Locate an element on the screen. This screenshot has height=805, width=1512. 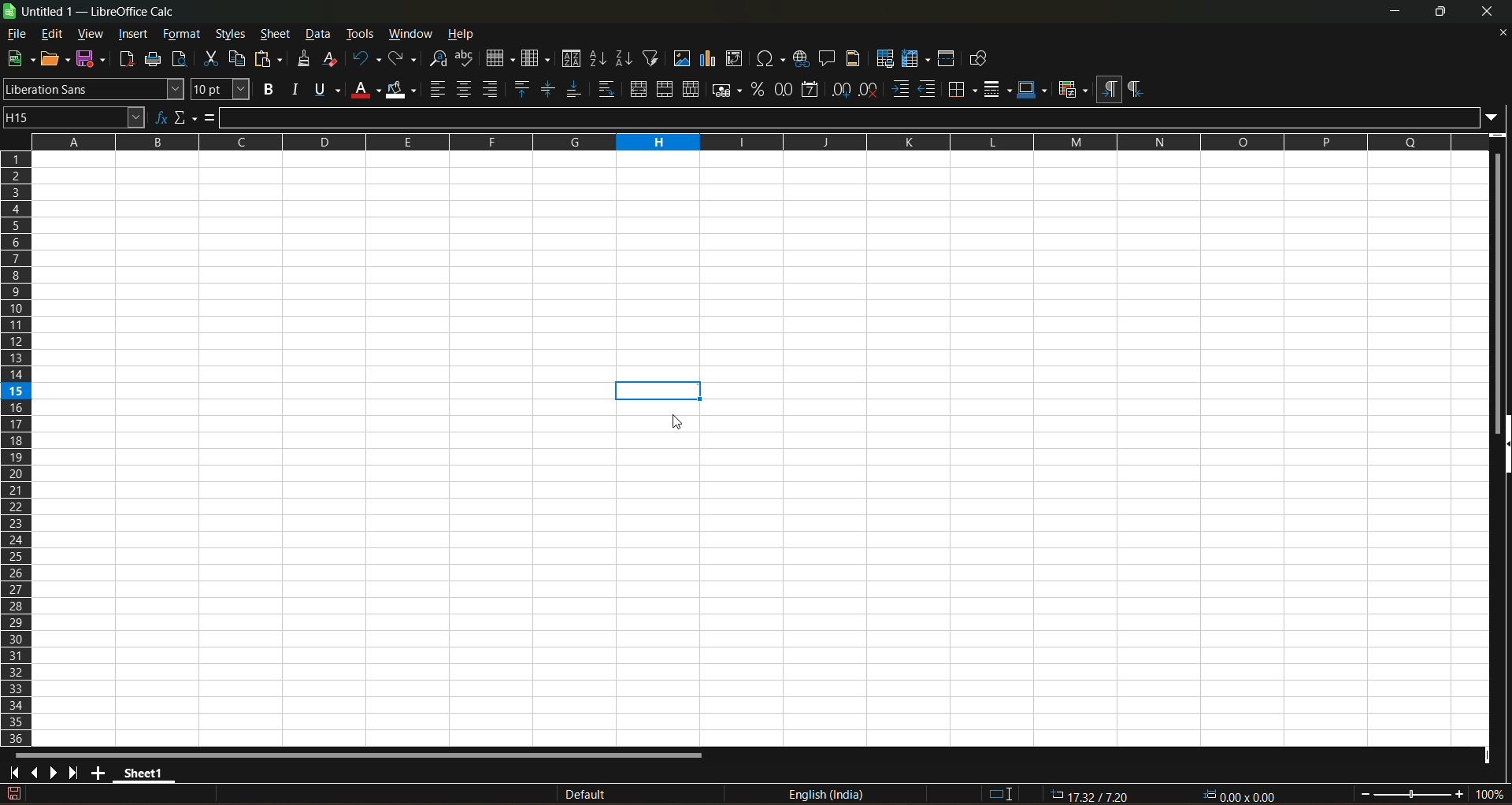
sort is located at coordinates (571, 57).